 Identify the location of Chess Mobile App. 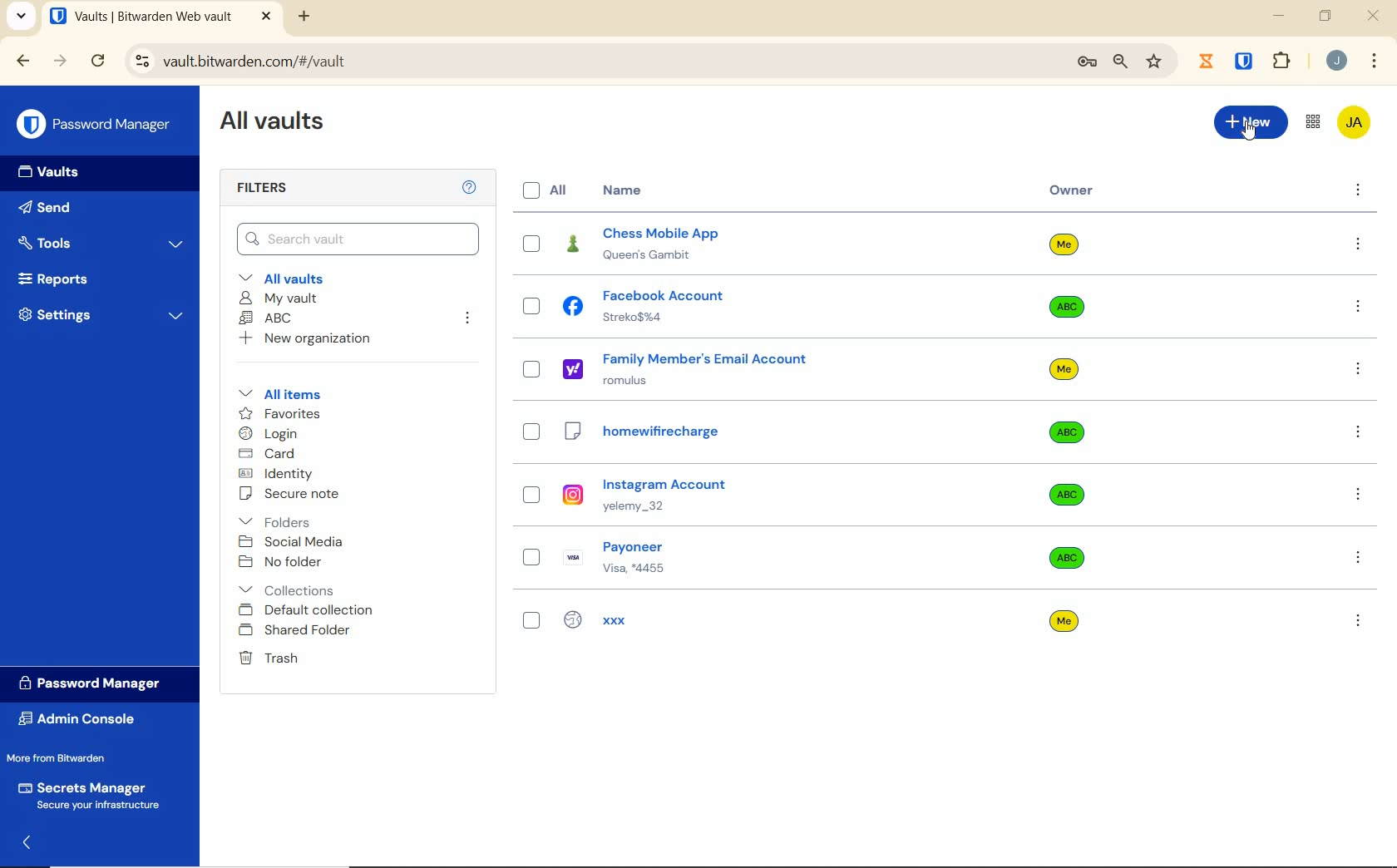
(689, 244).